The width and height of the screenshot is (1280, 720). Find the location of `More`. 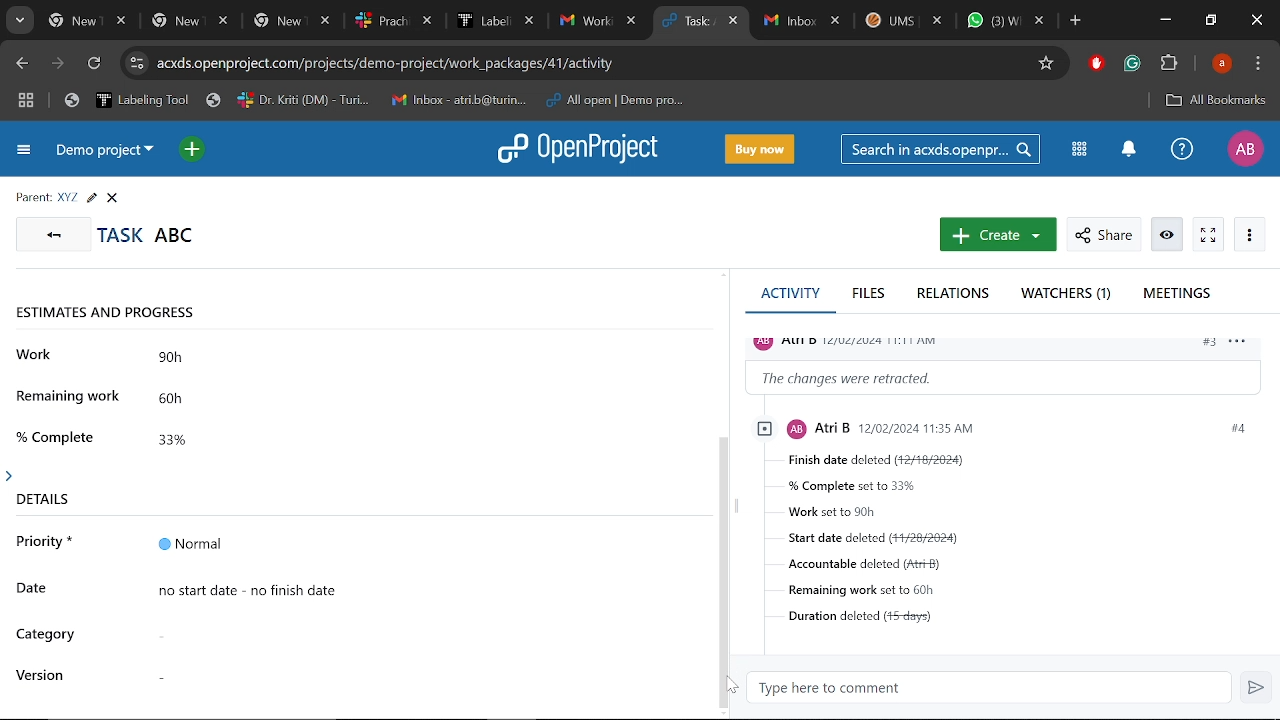

More is located at coordinates (1248, 233).